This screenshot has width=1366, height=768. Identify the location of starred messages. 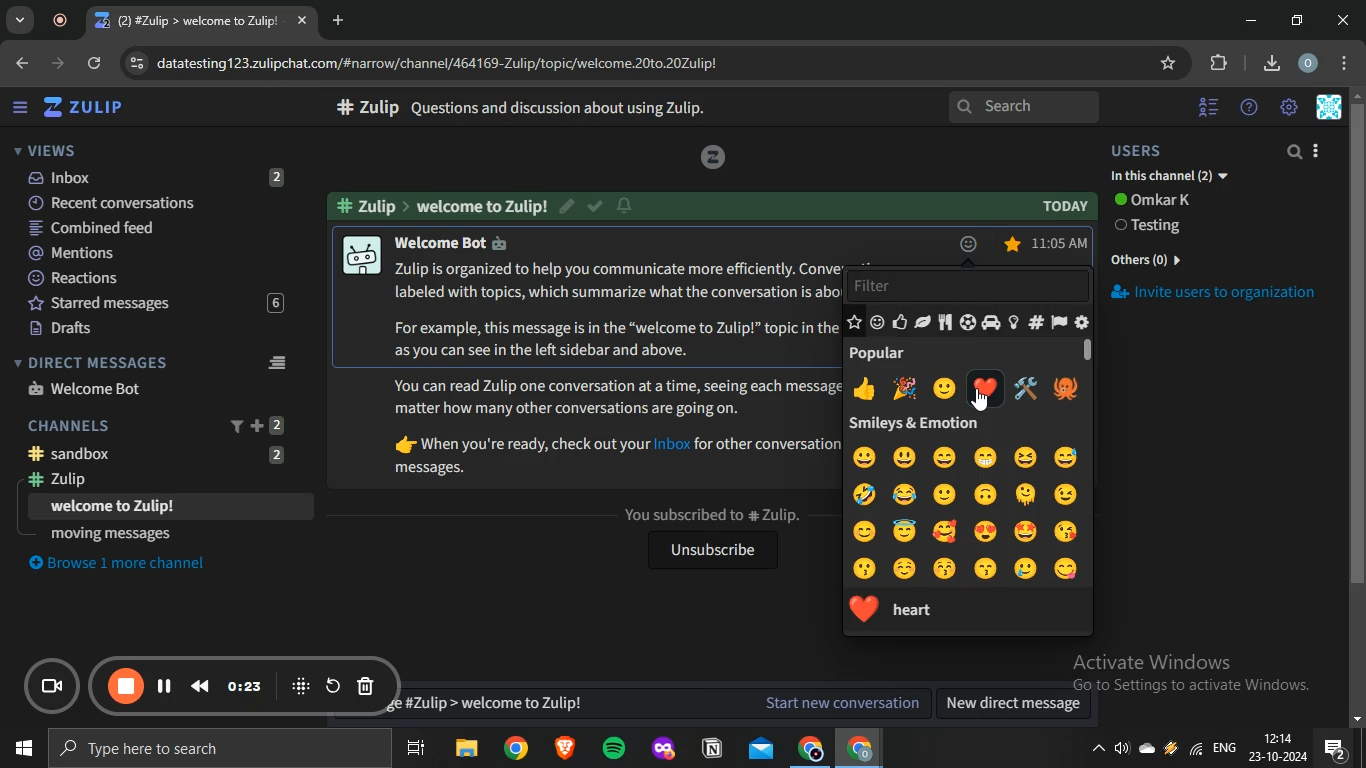
(151, 304).